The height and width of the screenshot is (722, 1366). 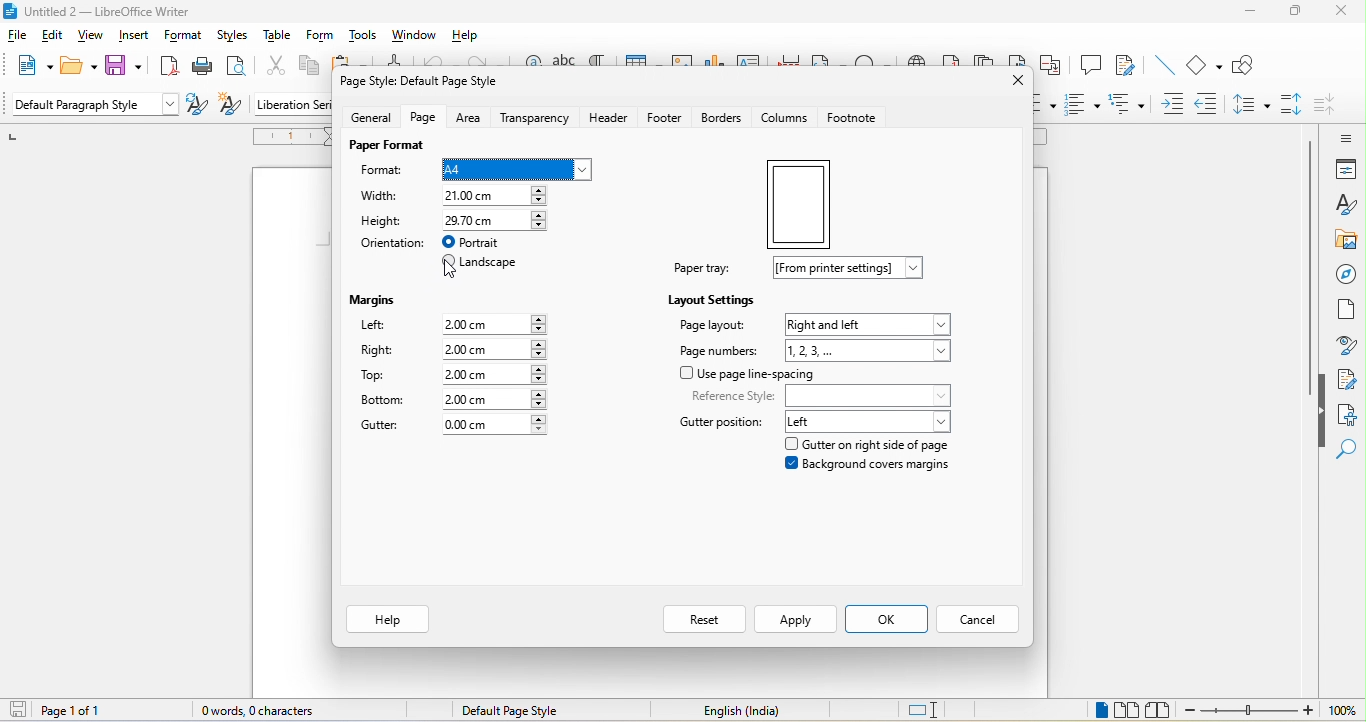 What do you see at coordinates (712, 298) in the screenshot?
I see `layout settings` at bounding box center [712, 298].